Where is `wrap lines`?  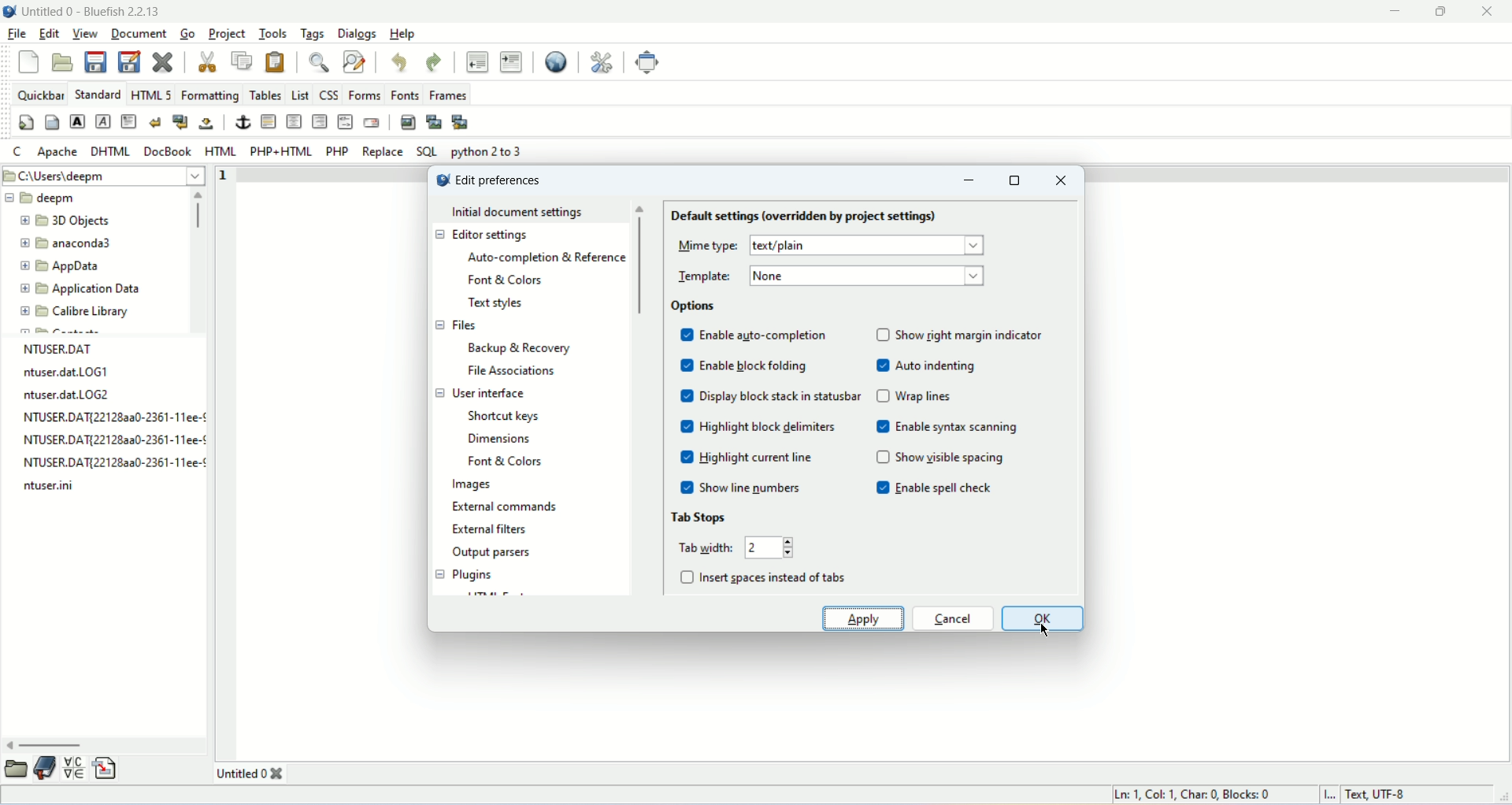 wrap lines is located at coordinates (925, 398).